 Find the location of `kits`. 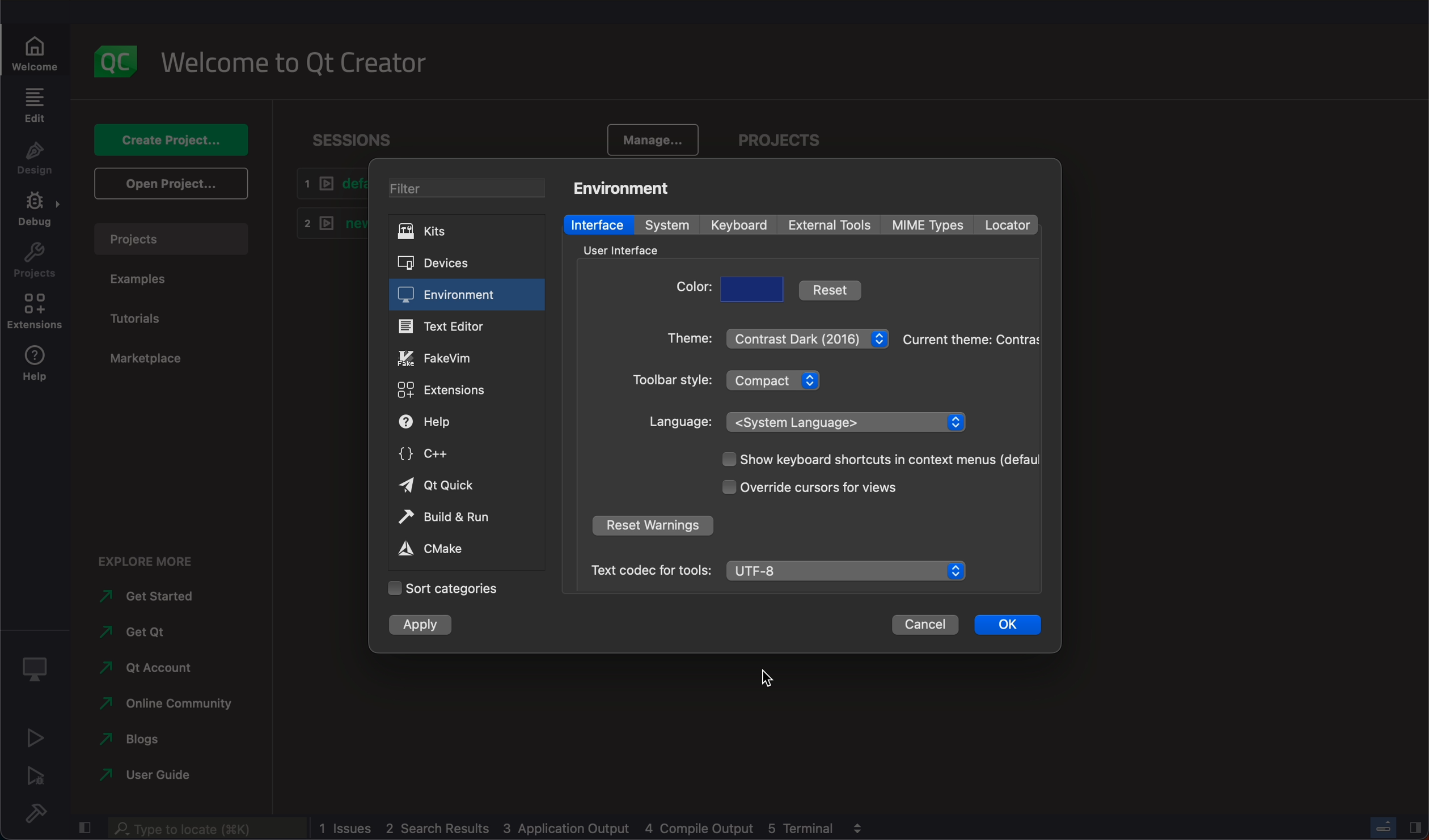

kits is located at coordinates (460, 232).